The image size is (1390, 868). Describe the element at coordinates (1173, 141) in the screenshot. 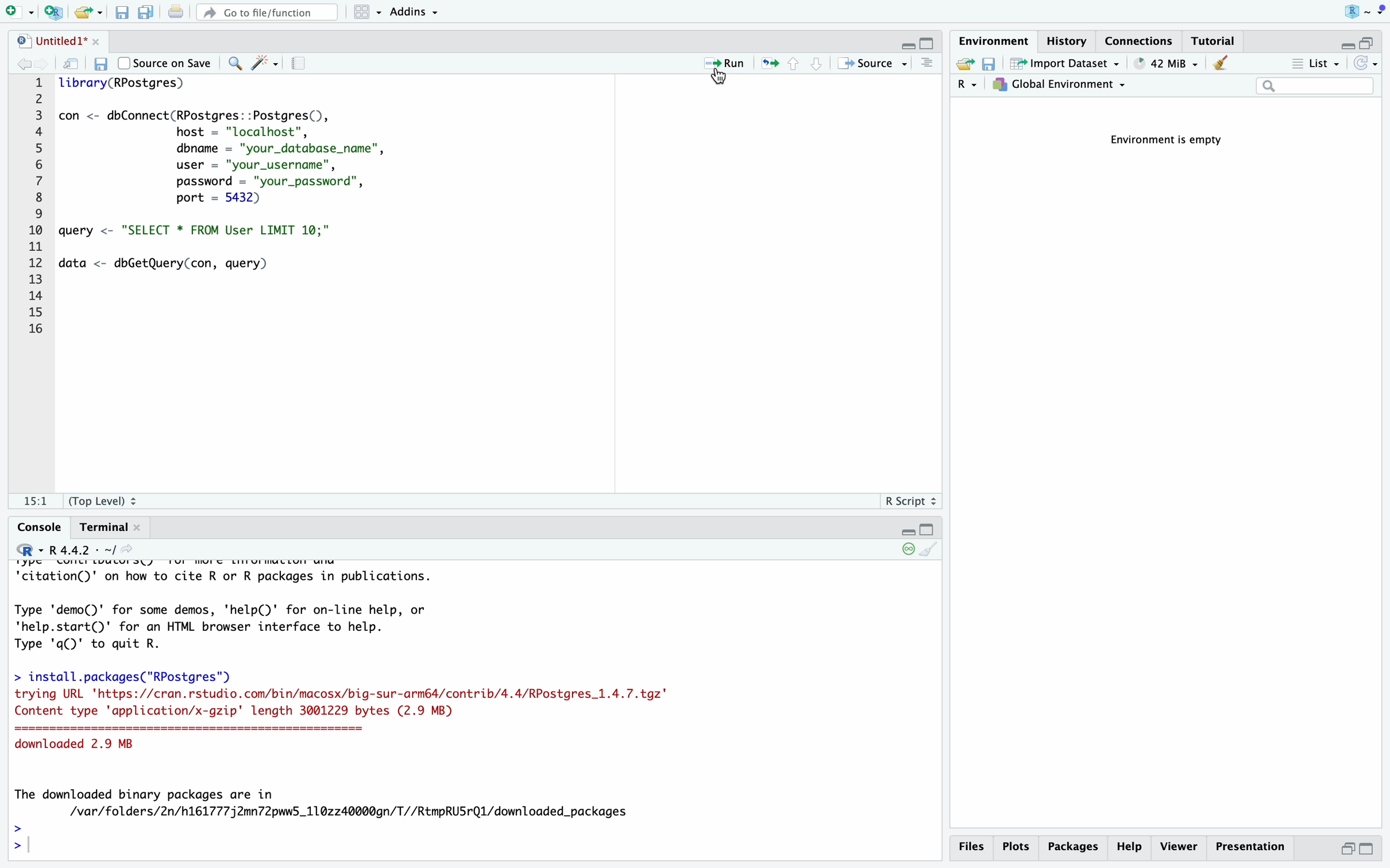

I see `Environment is empty` at that location.